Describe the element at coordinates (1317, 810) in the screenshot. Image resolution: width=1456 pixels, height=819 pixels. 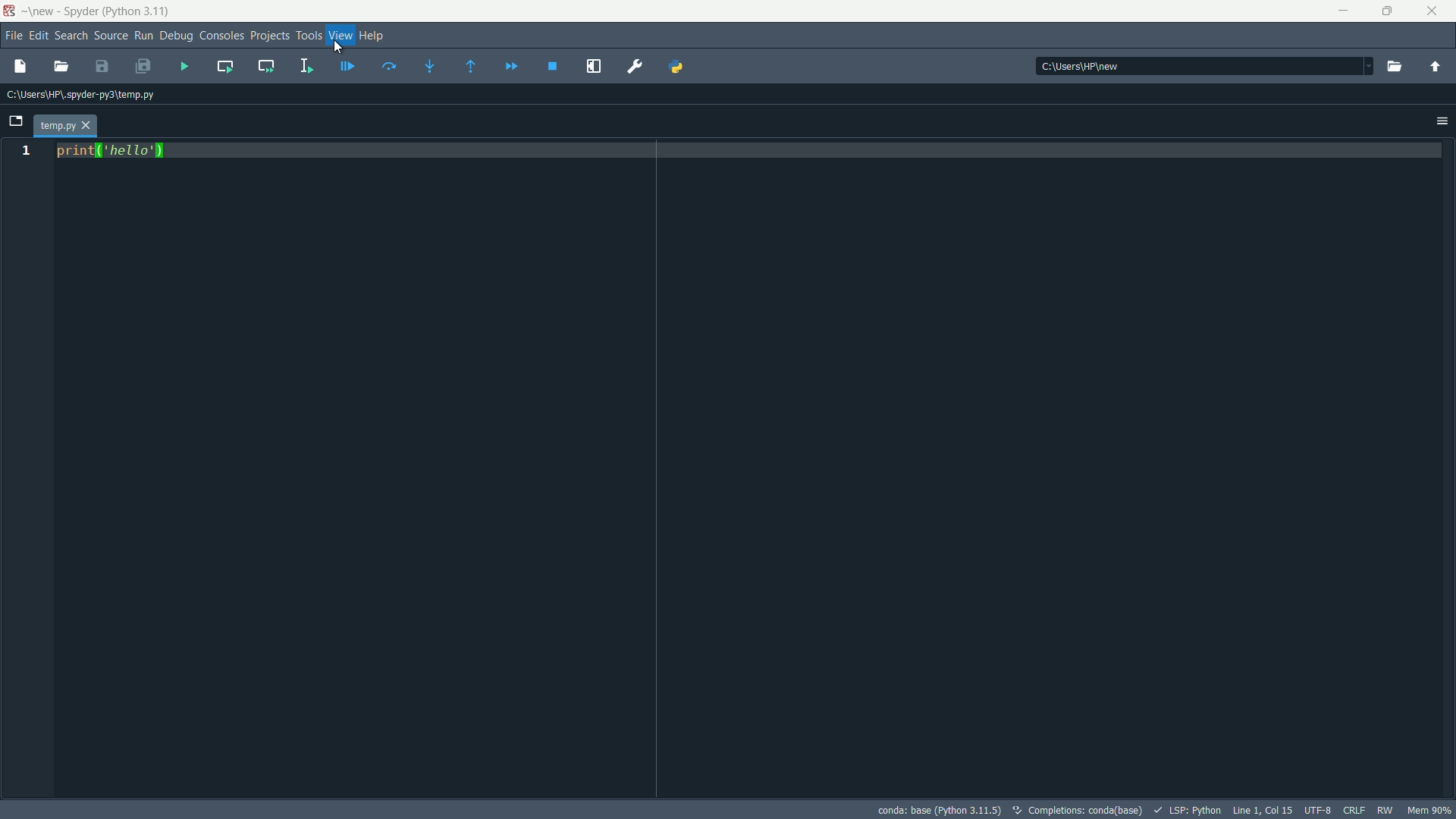
I see `file encoding` at that location.